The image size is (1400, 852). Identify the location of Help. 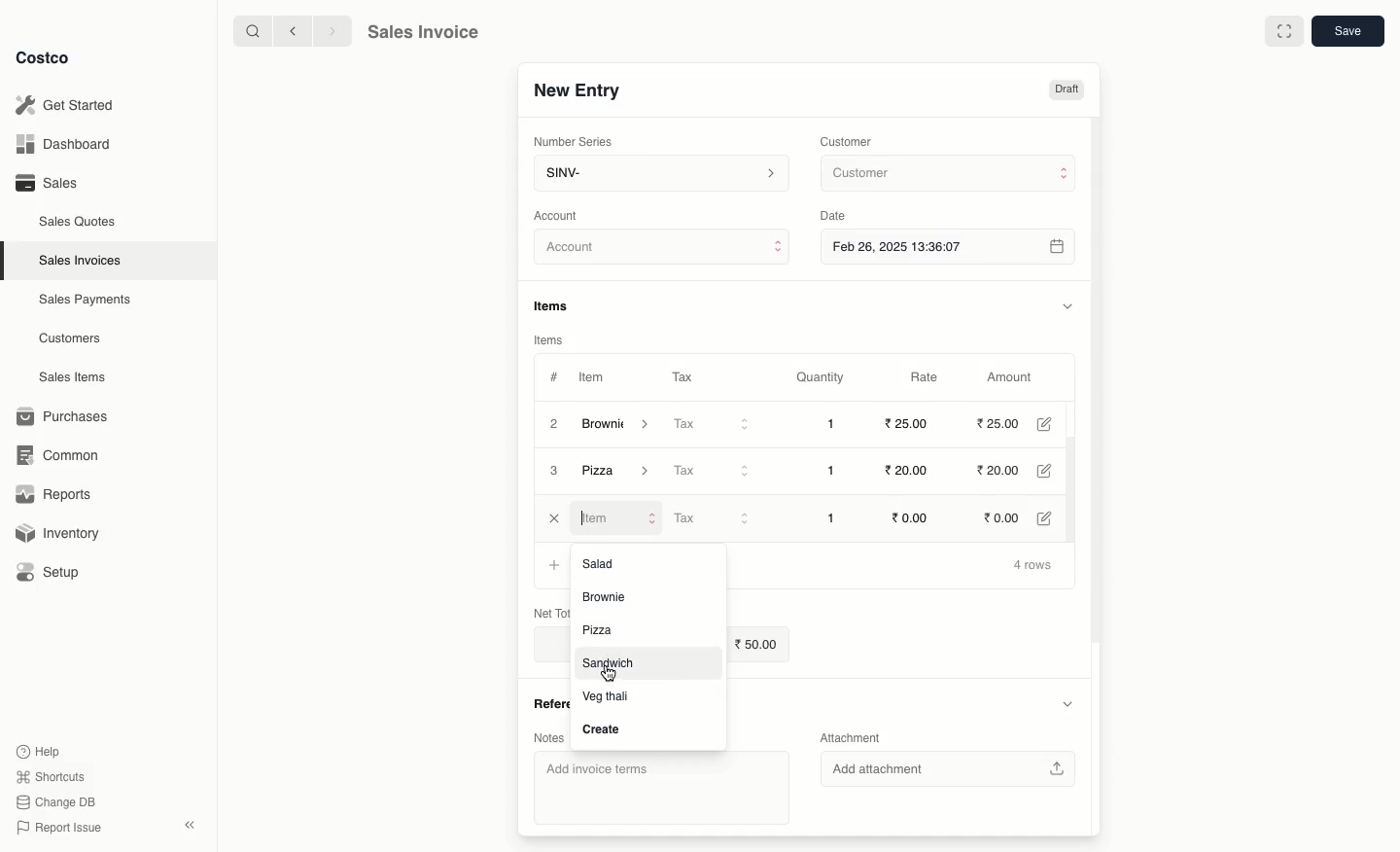
(40, 750).